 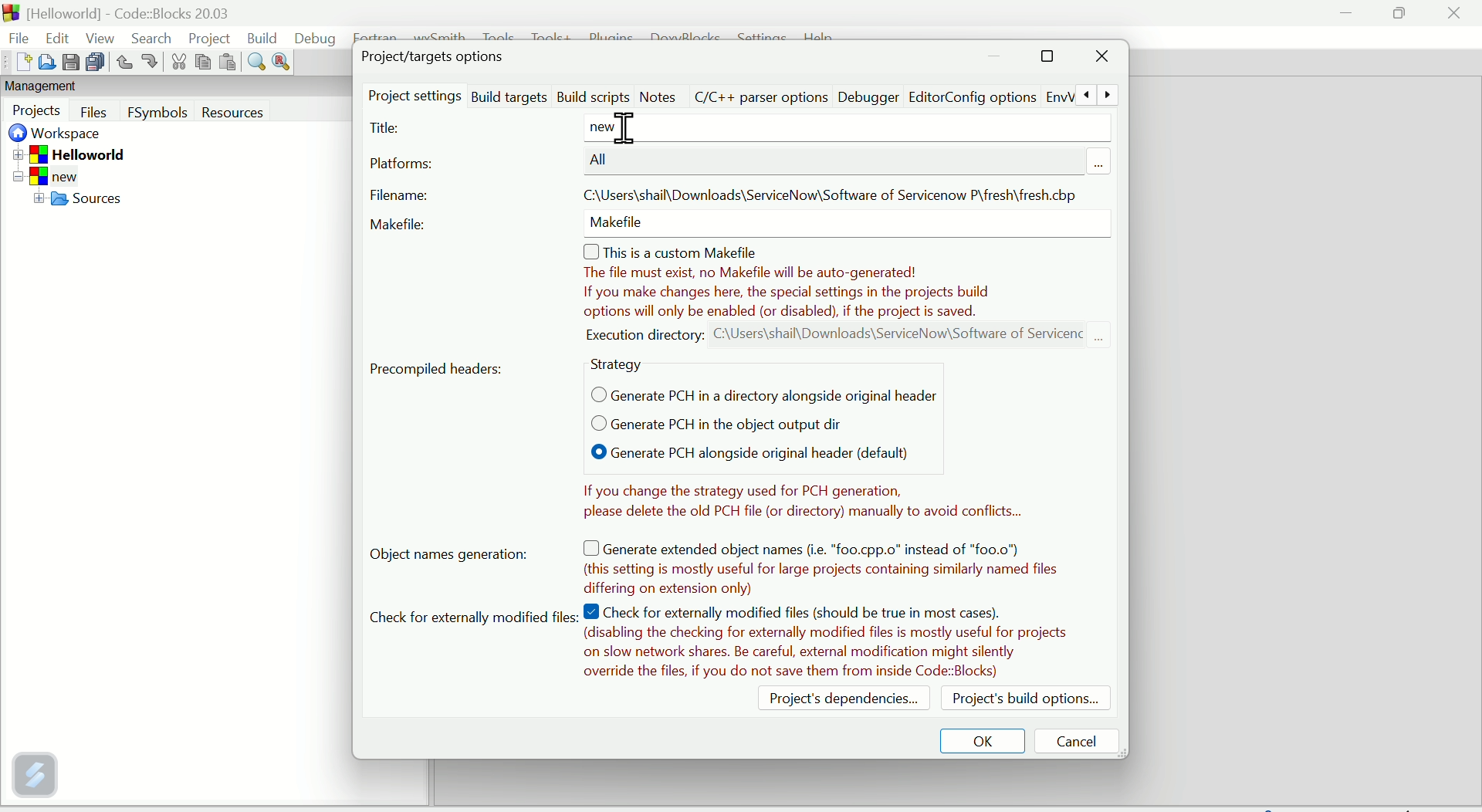 What do you see at coordinates (762, 94) in the screenshot?
I see `C/C++ parser option` at bounding box center [762, 94].